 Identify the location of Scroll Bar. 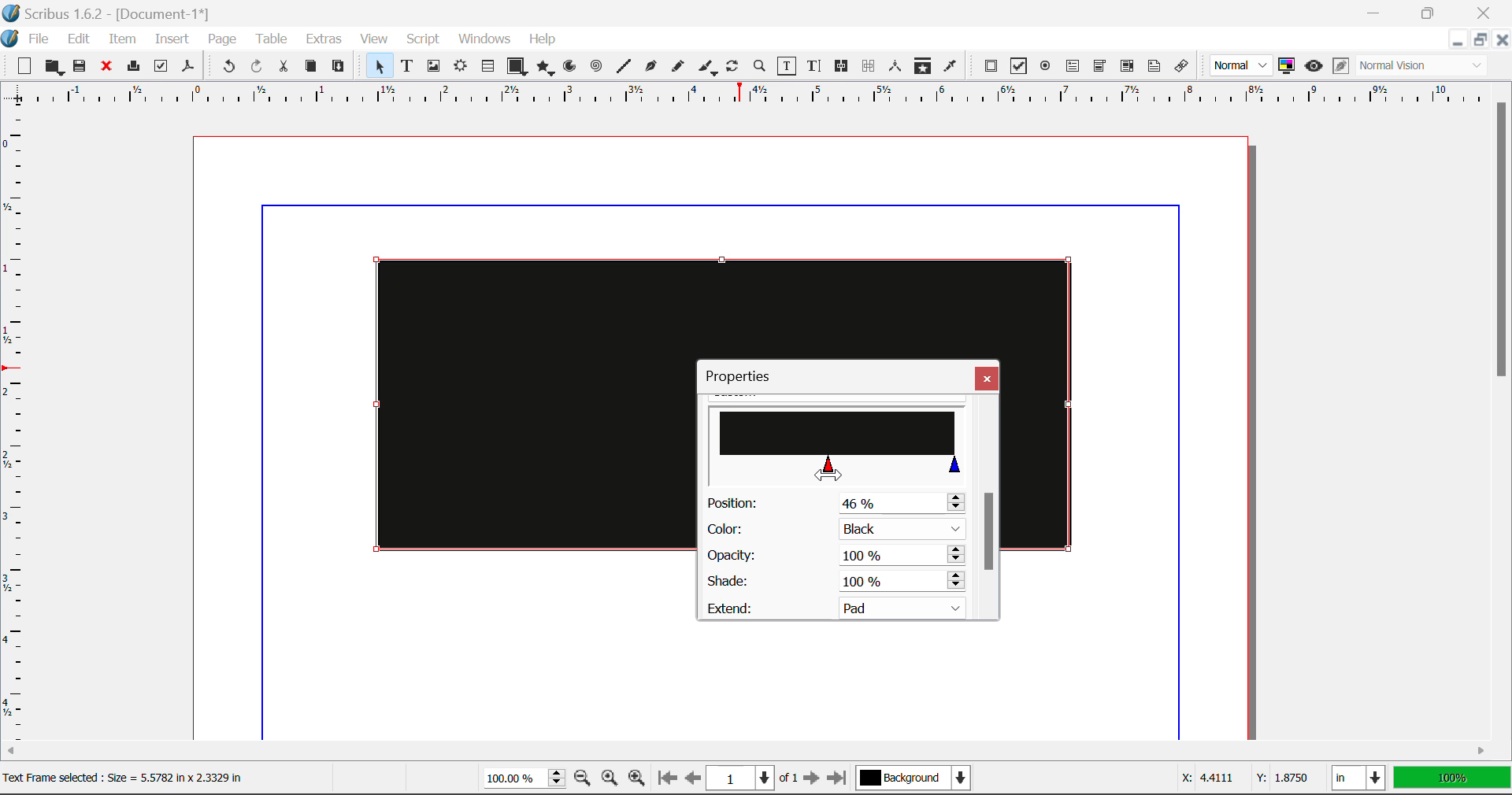
(988, 508).